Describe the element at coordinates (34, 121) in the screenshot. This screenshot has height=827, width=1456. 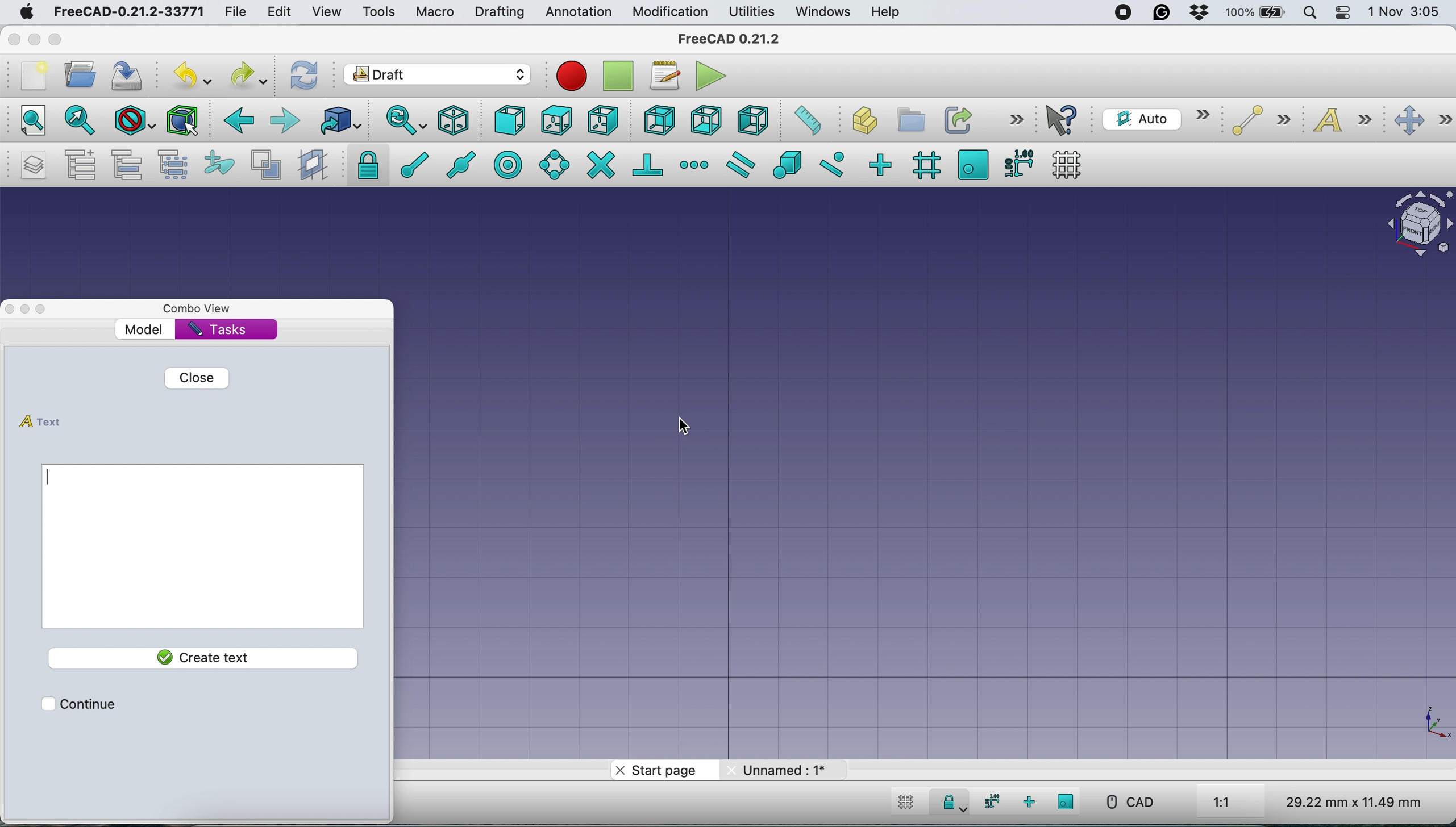
I see `fit all` at that location.